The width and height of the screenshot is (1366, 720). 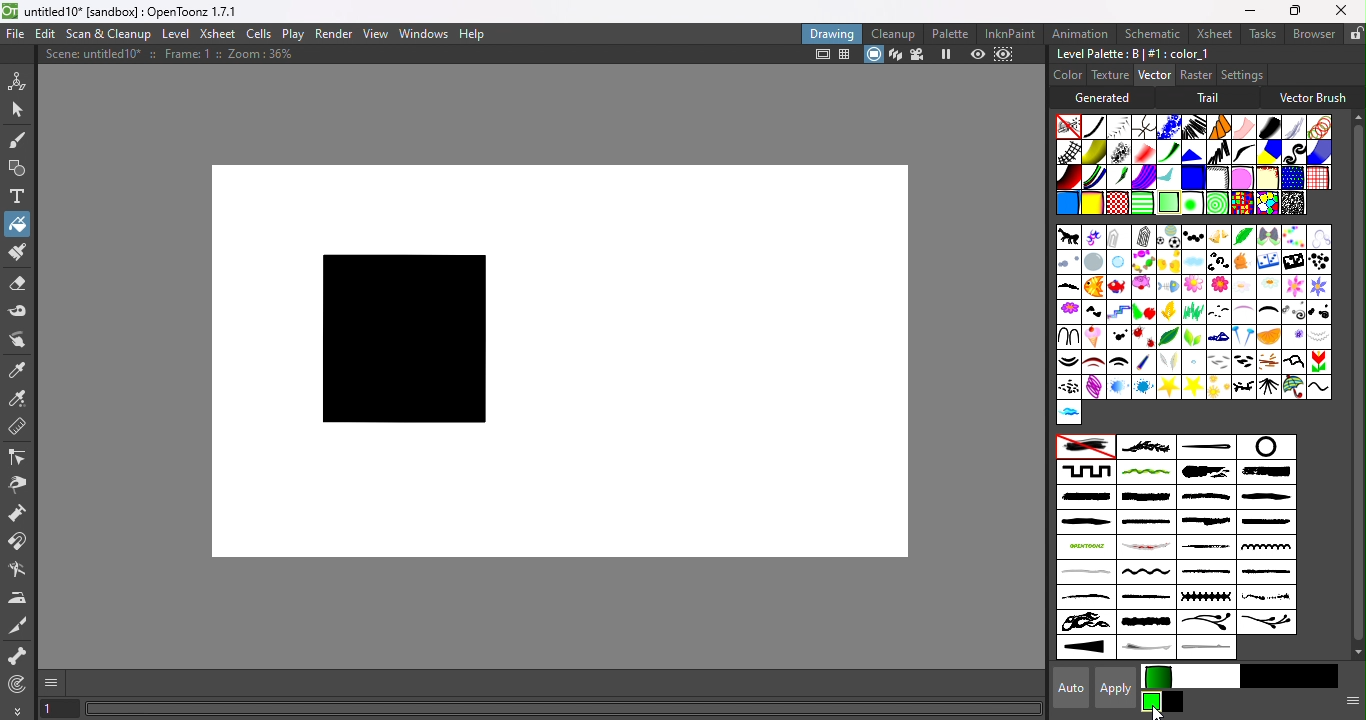 What do you see at coordinates (1208, 574) in the screenshot?
I see `small_brush` at bounding box center [1208, 574].